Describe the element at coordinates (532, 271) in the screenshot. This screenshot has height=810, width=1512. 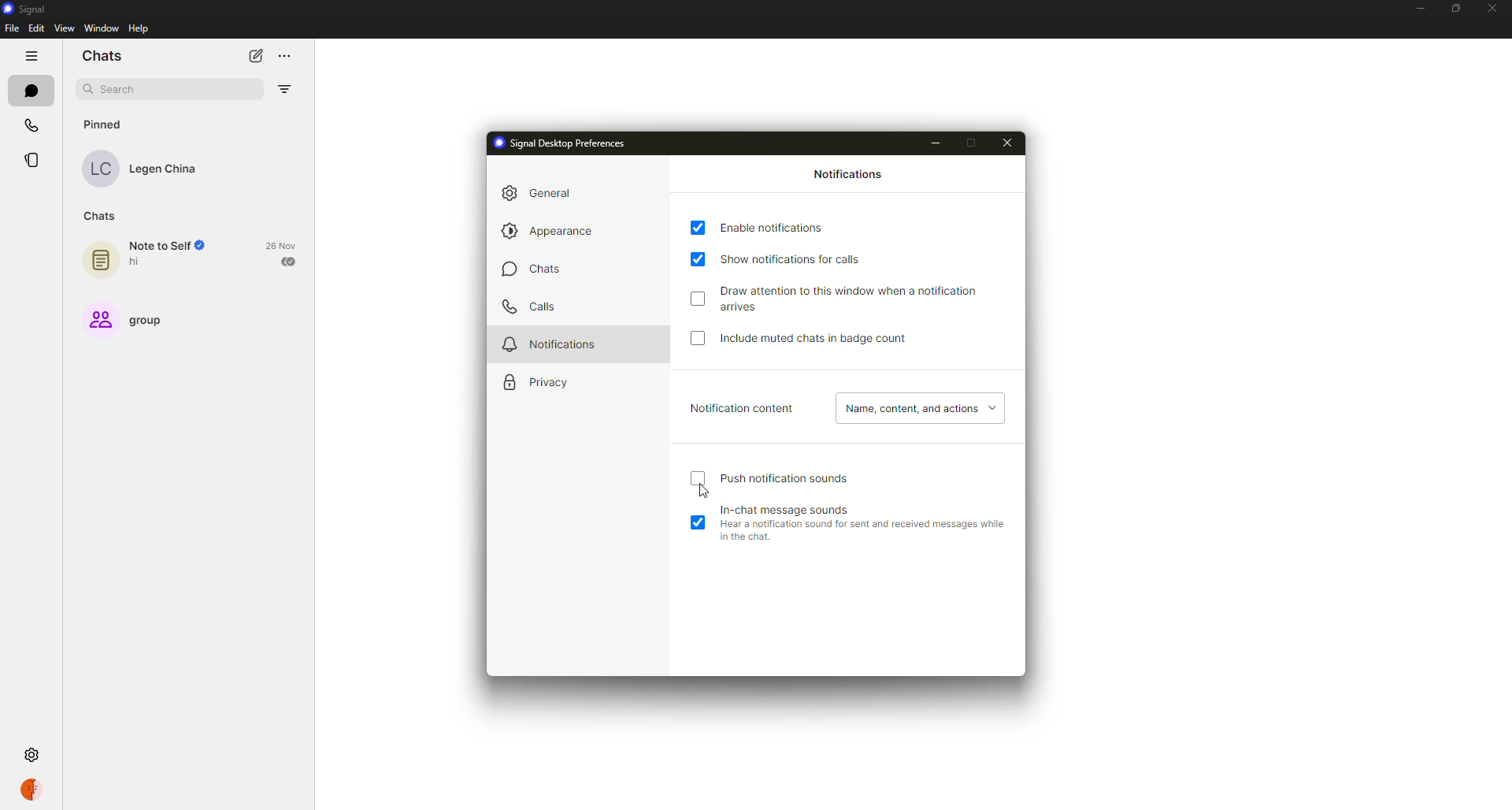
I see `chats` at that location.